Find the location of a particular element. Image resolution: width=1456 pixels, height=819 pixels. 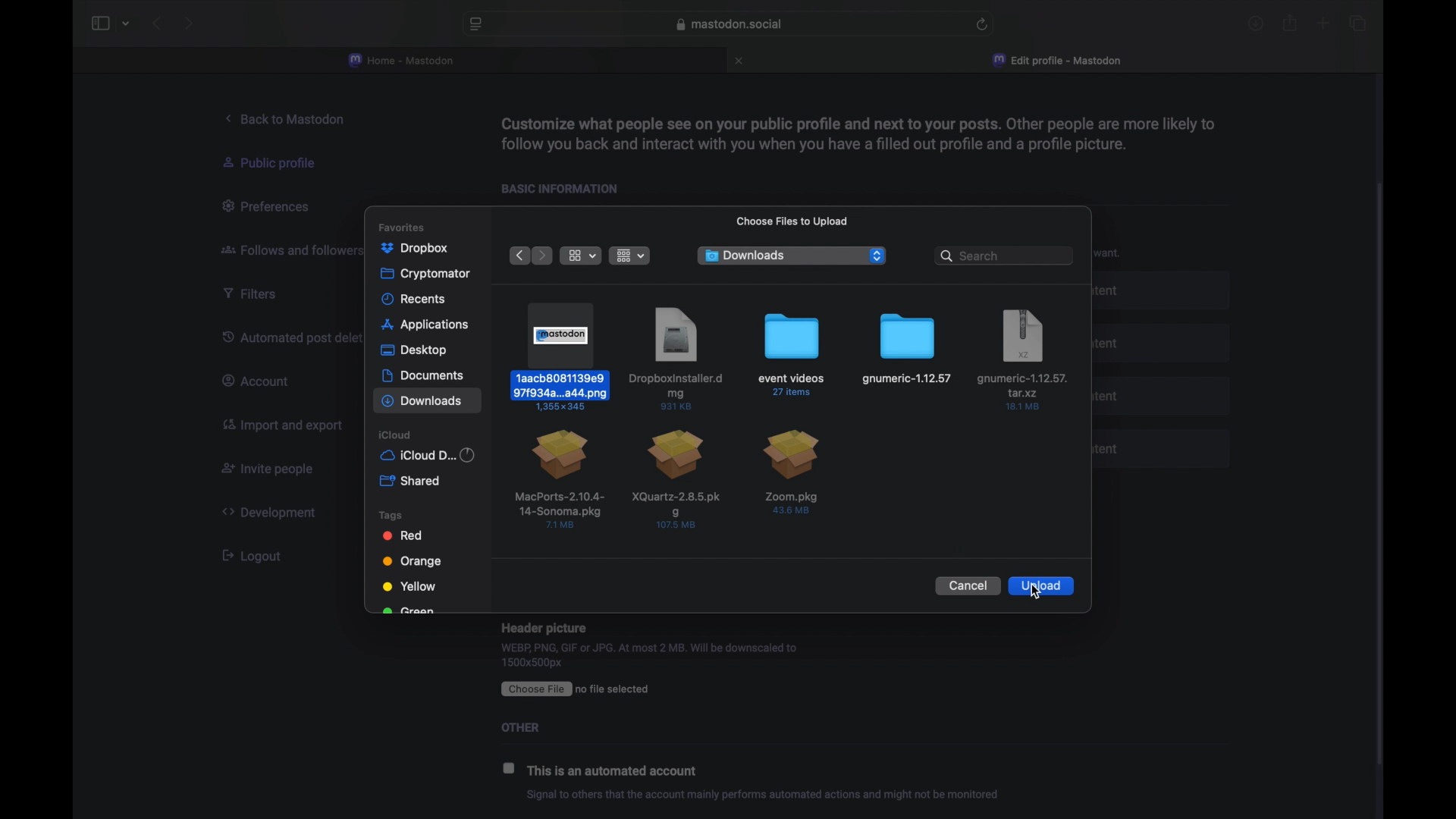

import and export is located at coordinates (281, 427).